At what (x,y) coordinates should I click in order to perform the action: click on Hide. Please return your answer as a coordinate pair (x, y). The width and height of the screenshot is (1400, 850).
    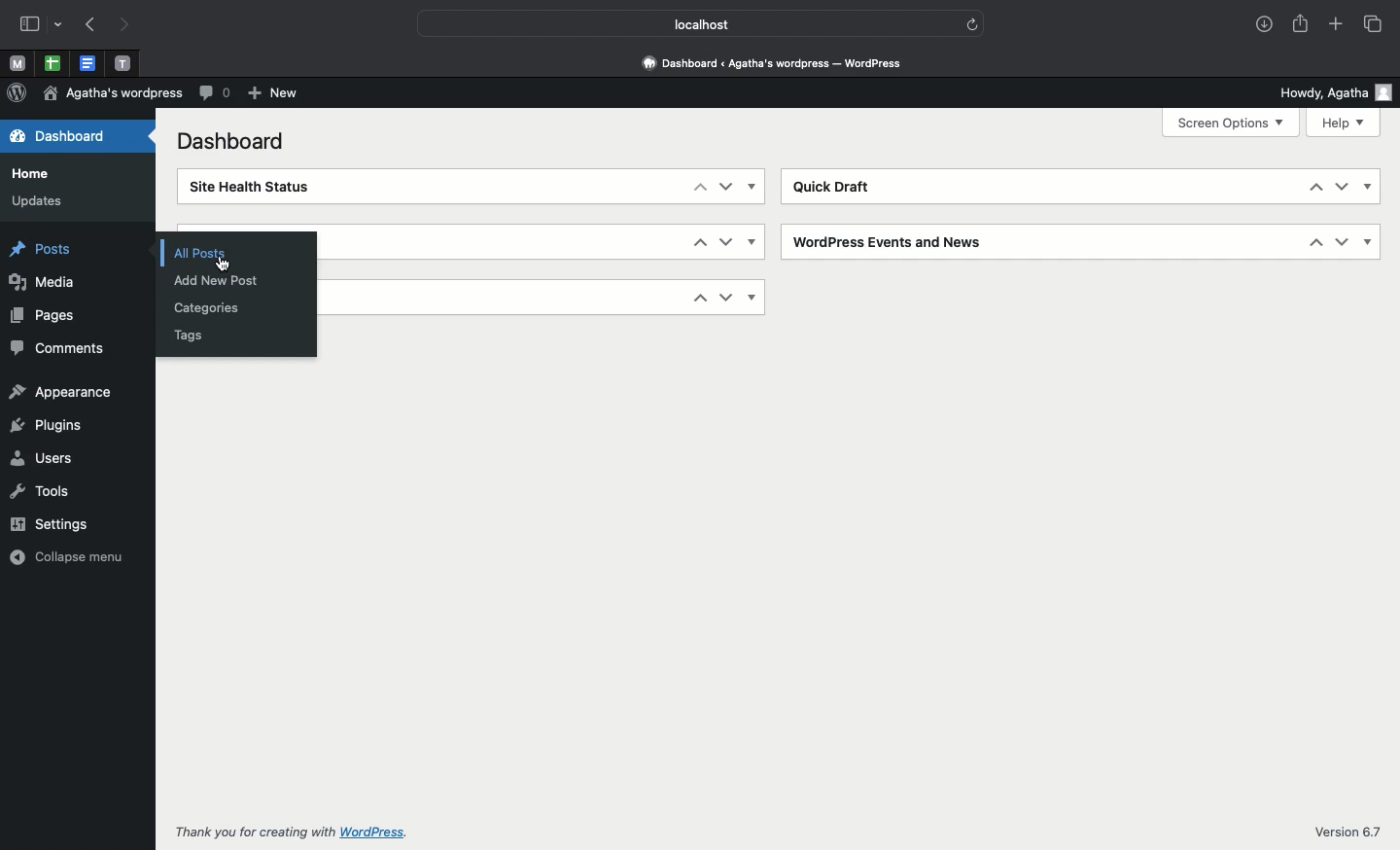
    Looking at the image, I should click on (1365, 243).